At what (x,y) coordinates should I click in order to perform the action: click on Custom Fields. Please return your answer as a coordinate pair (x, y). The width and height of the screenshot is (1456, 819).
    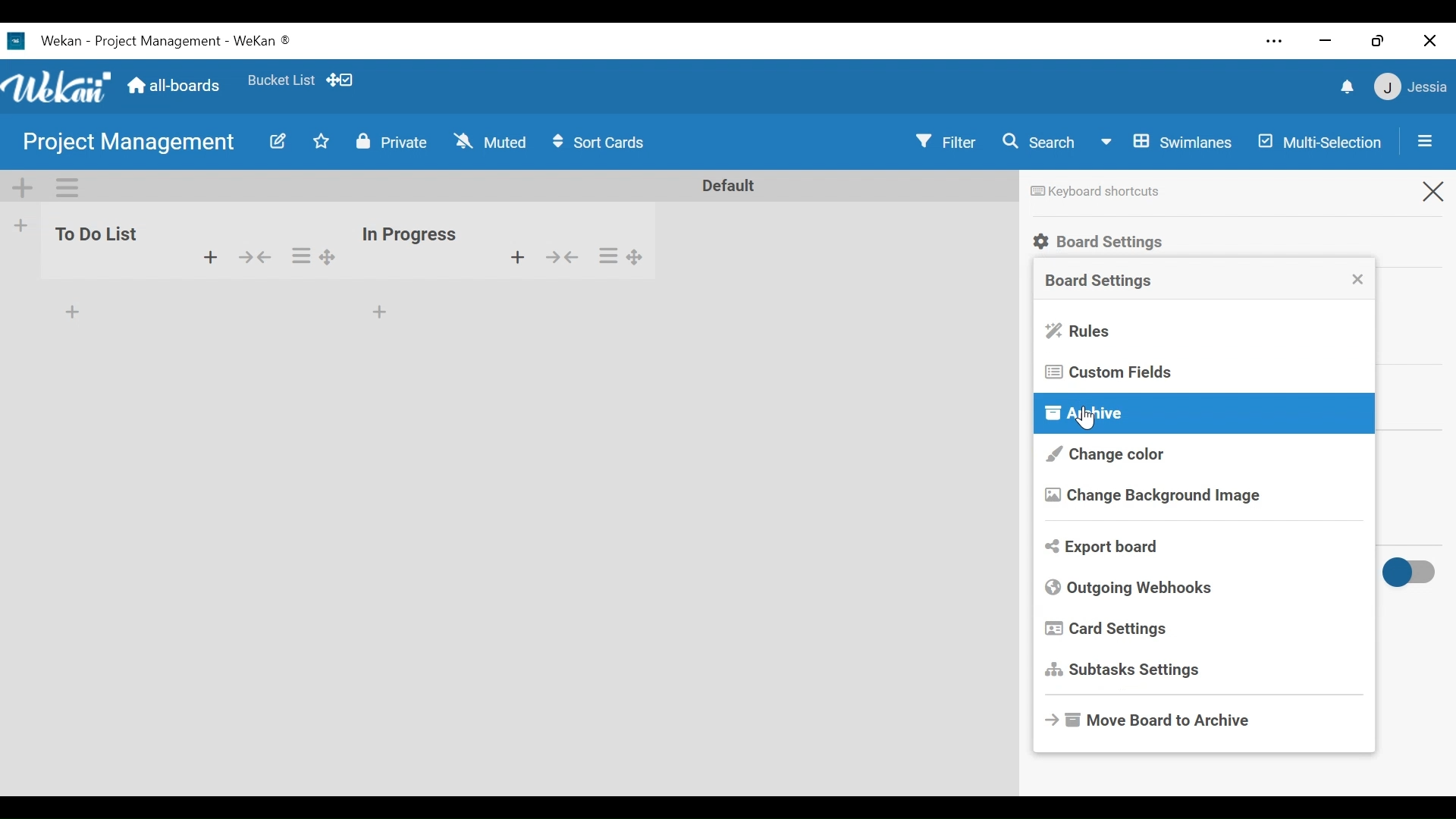
    Looking at the image, I should click on (1106, 371).